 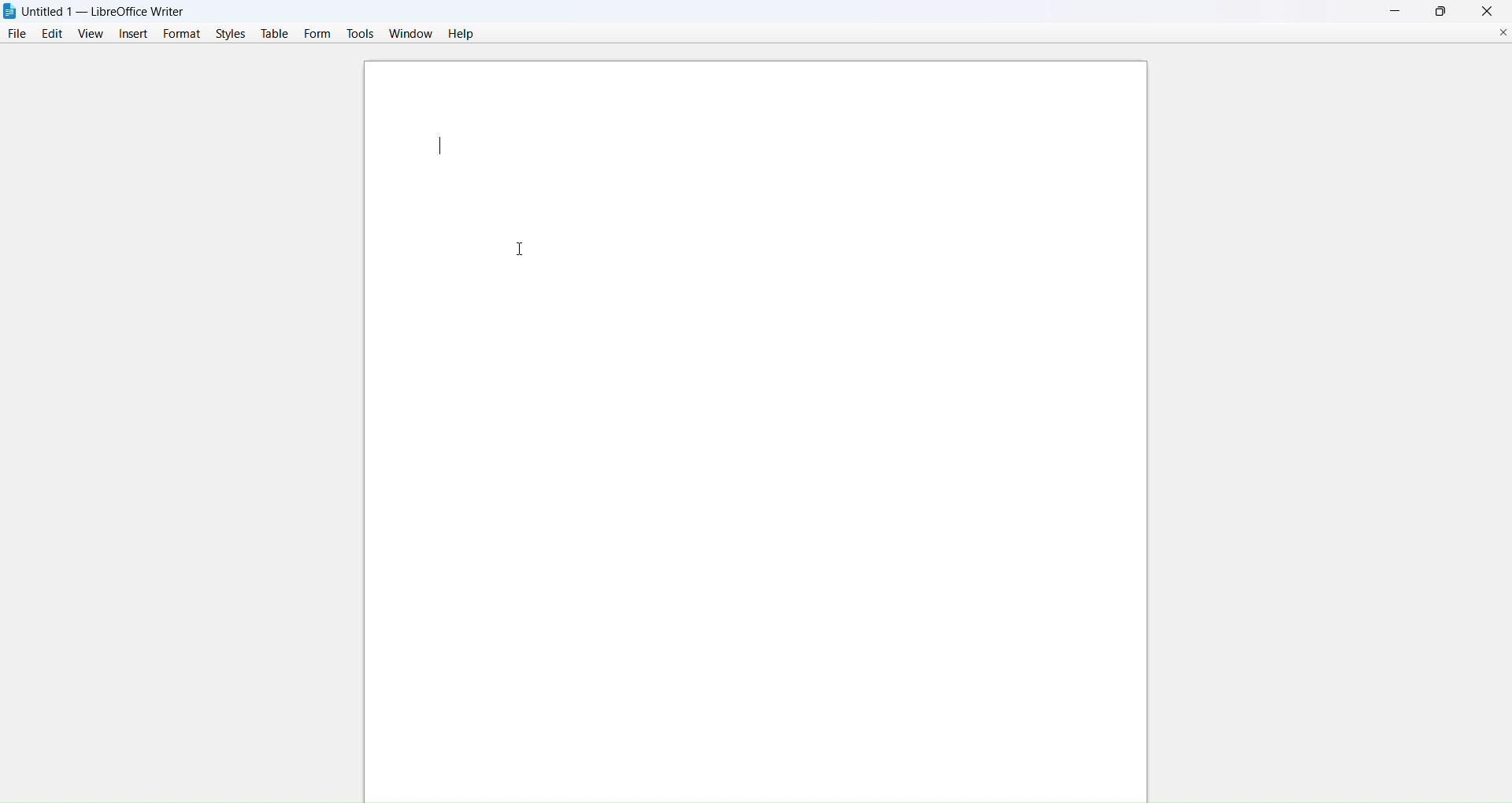 I want to click on tools, so click(x=361, y=33).